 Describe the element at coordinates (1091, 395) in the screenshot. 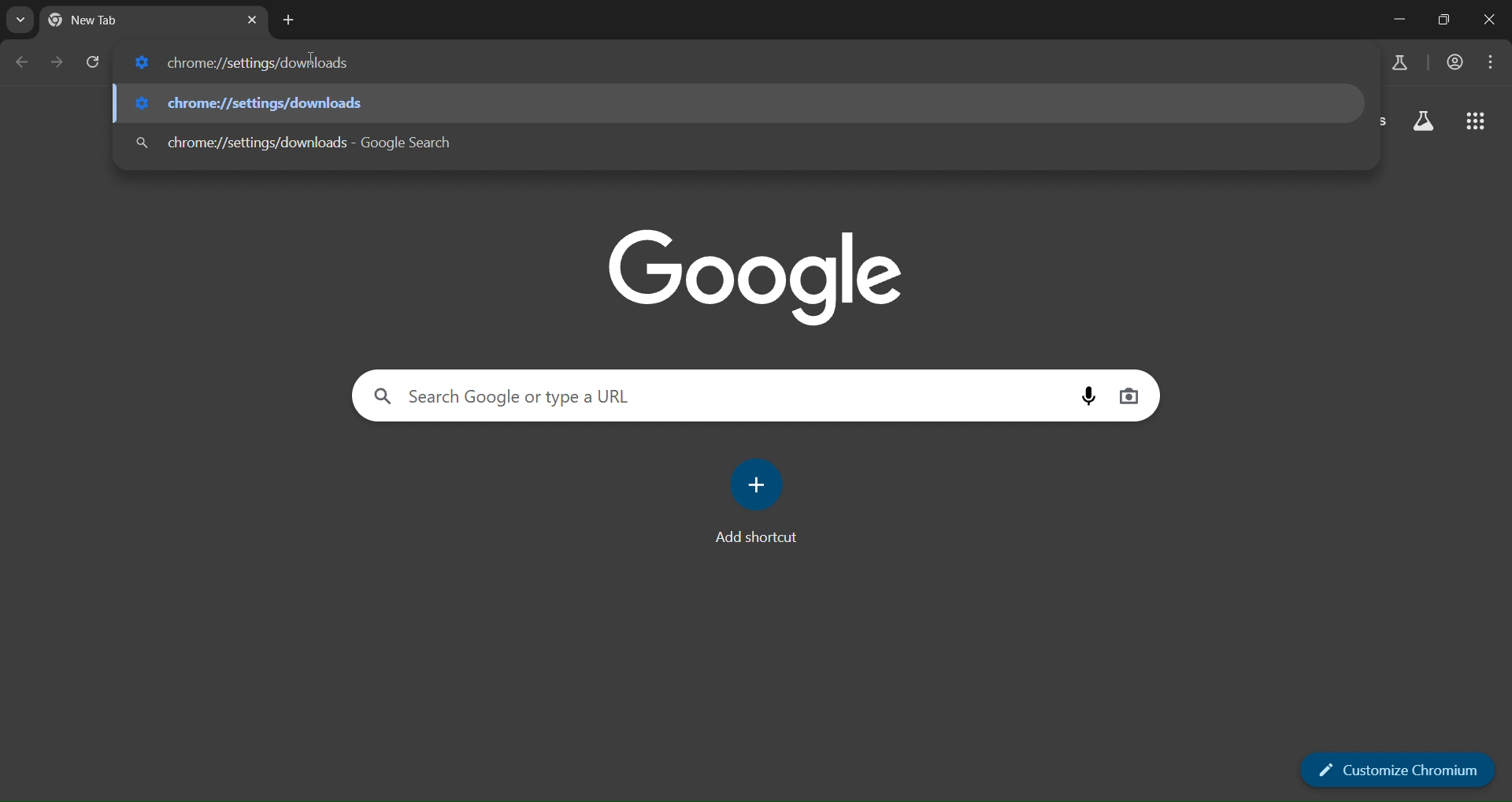

I see `voice search` at that location.